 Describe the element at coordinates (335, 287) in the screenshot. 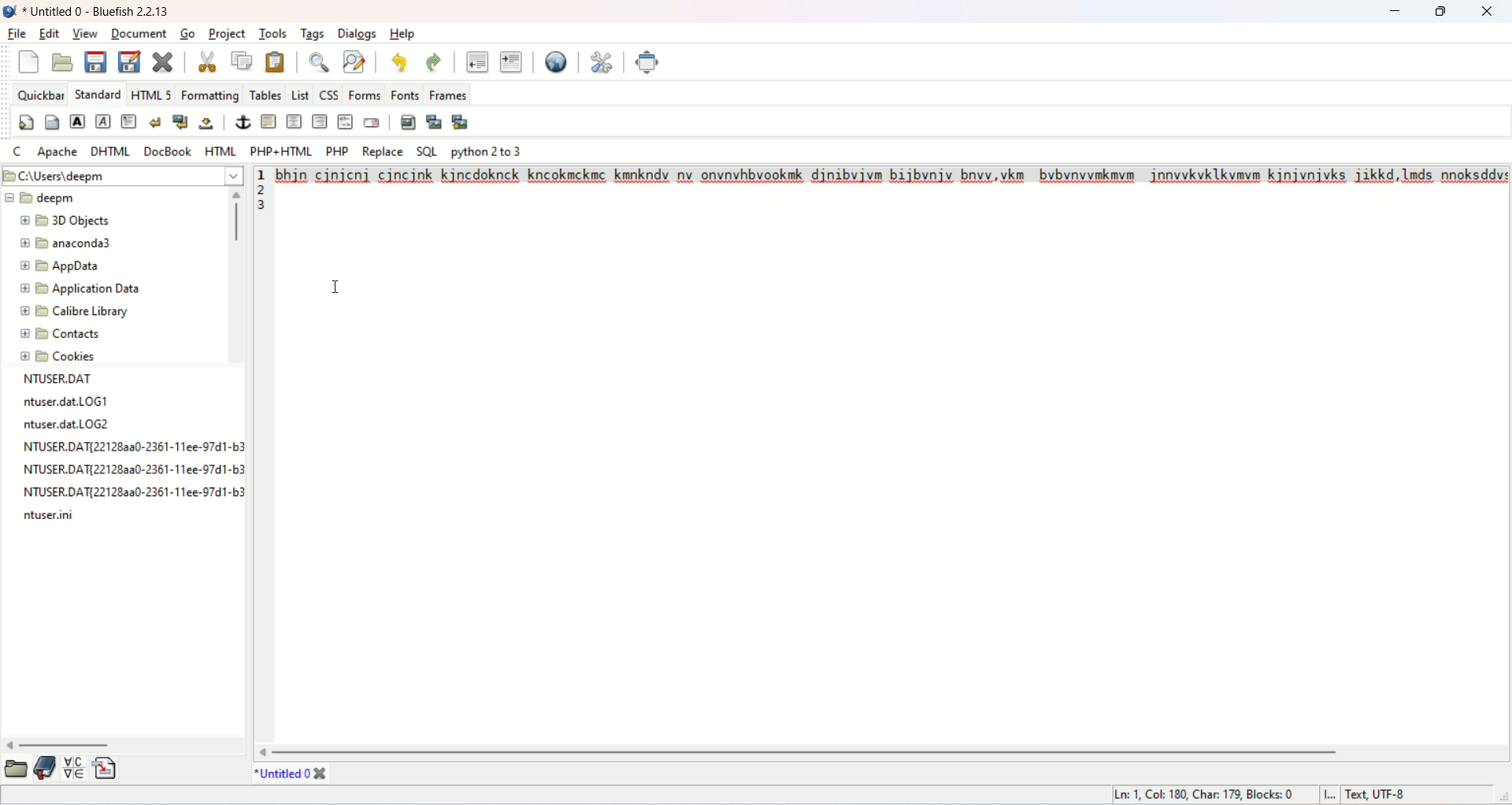

I see `Cursor` at that location.